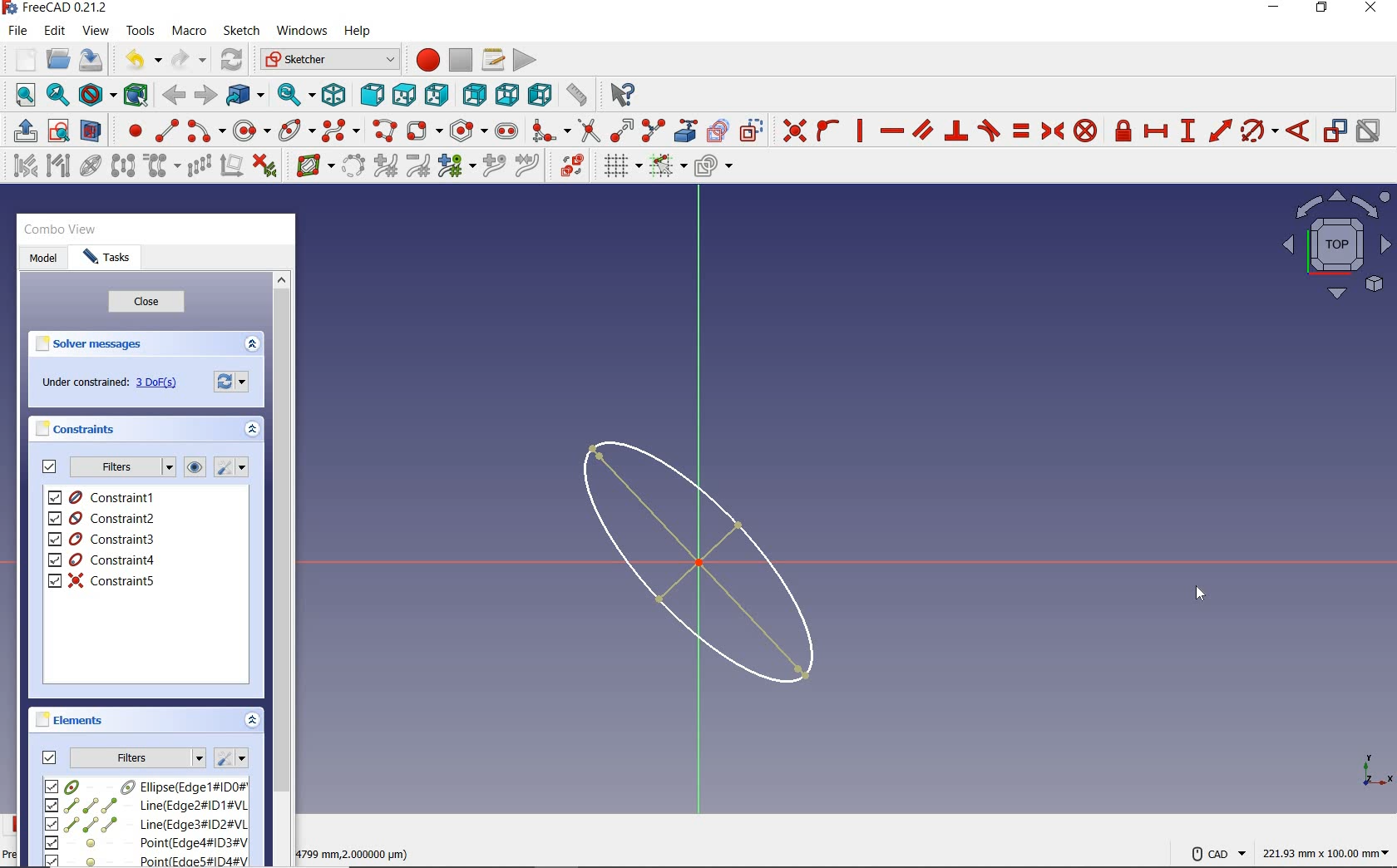 The width and height of the screenshot is (1397, 868). Describe the element at coordinates (57, 96) in the screenshot. I see `fit selection` at that location.